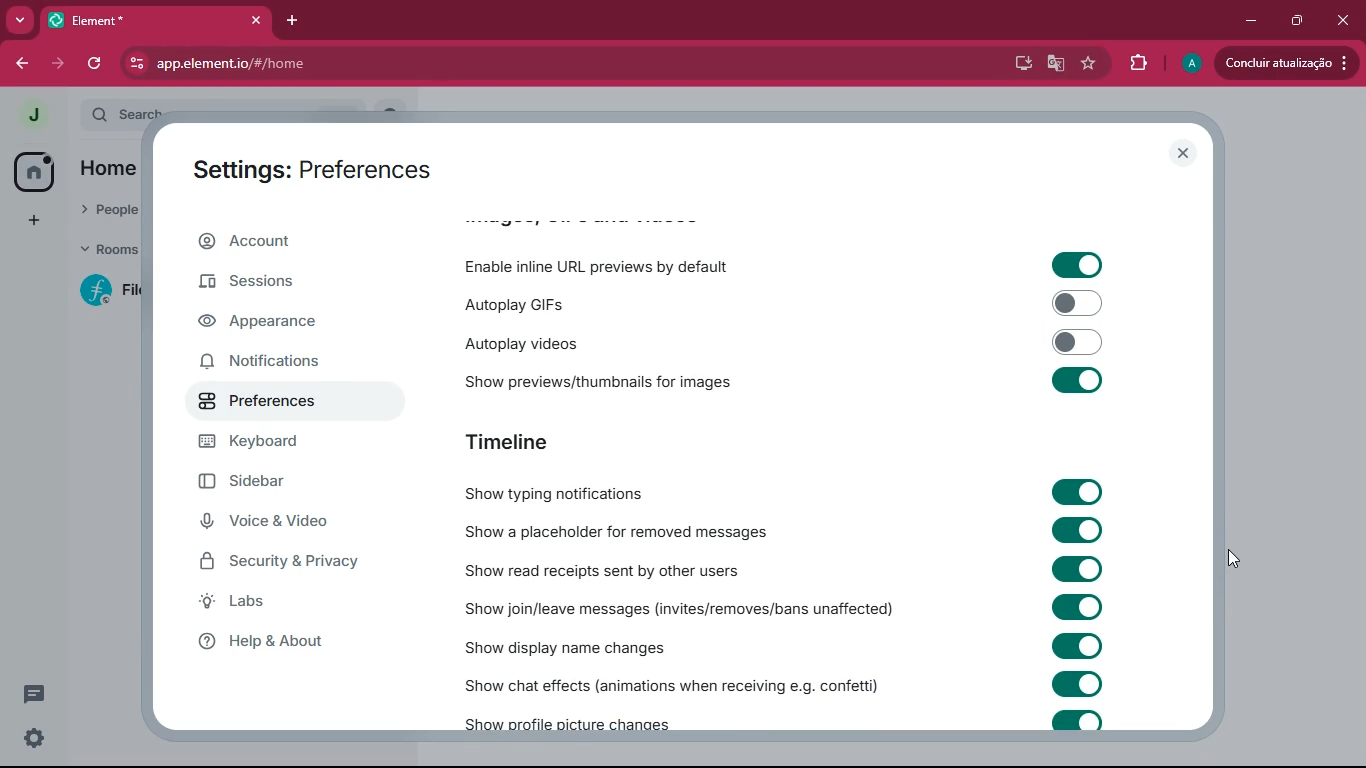  I want to click on toggle on/off, so click(1078, 342).